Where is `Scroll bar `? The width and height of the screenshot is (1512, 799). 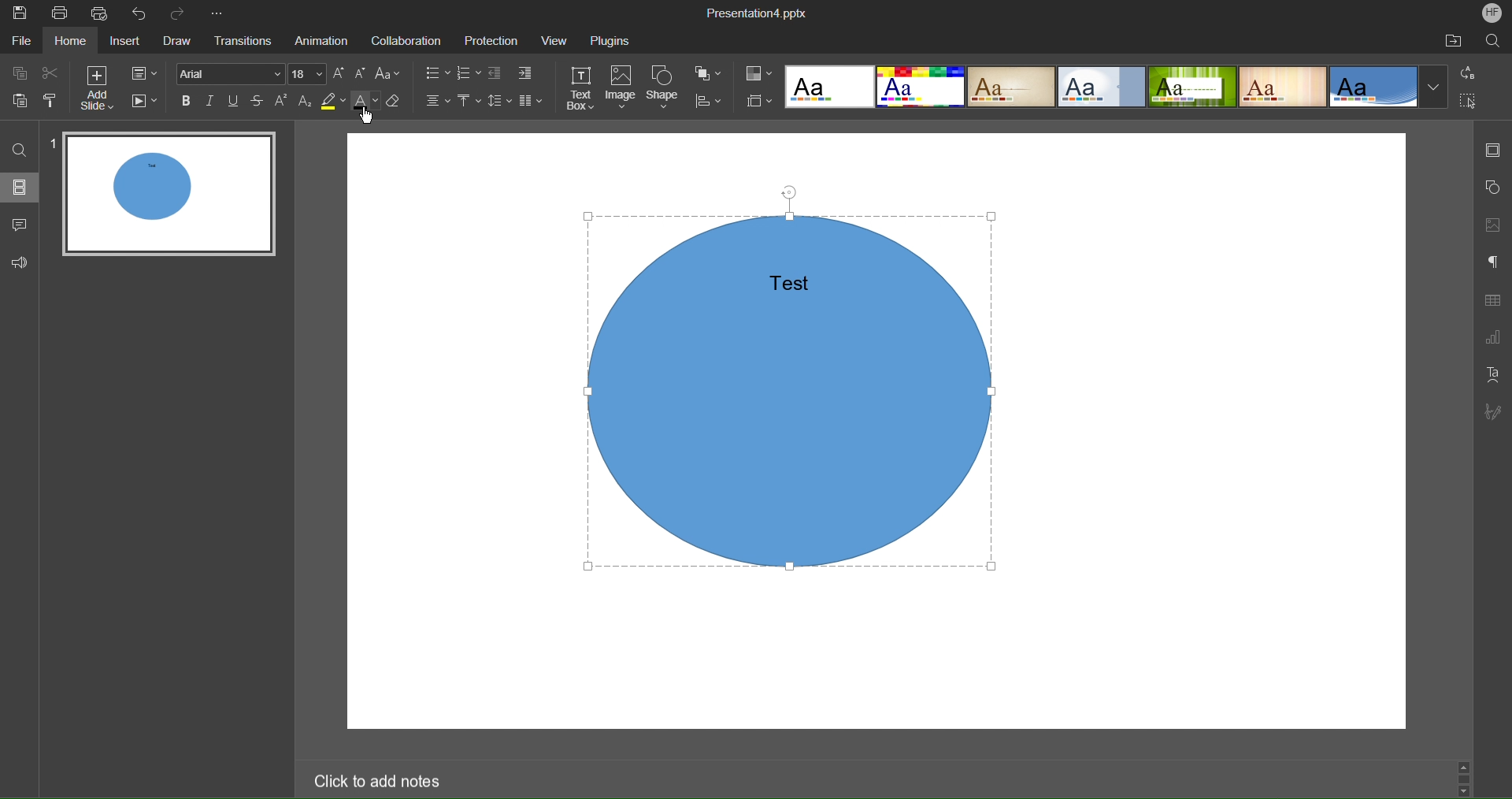 Scroll bar  is located at coordinates (1464, 779).